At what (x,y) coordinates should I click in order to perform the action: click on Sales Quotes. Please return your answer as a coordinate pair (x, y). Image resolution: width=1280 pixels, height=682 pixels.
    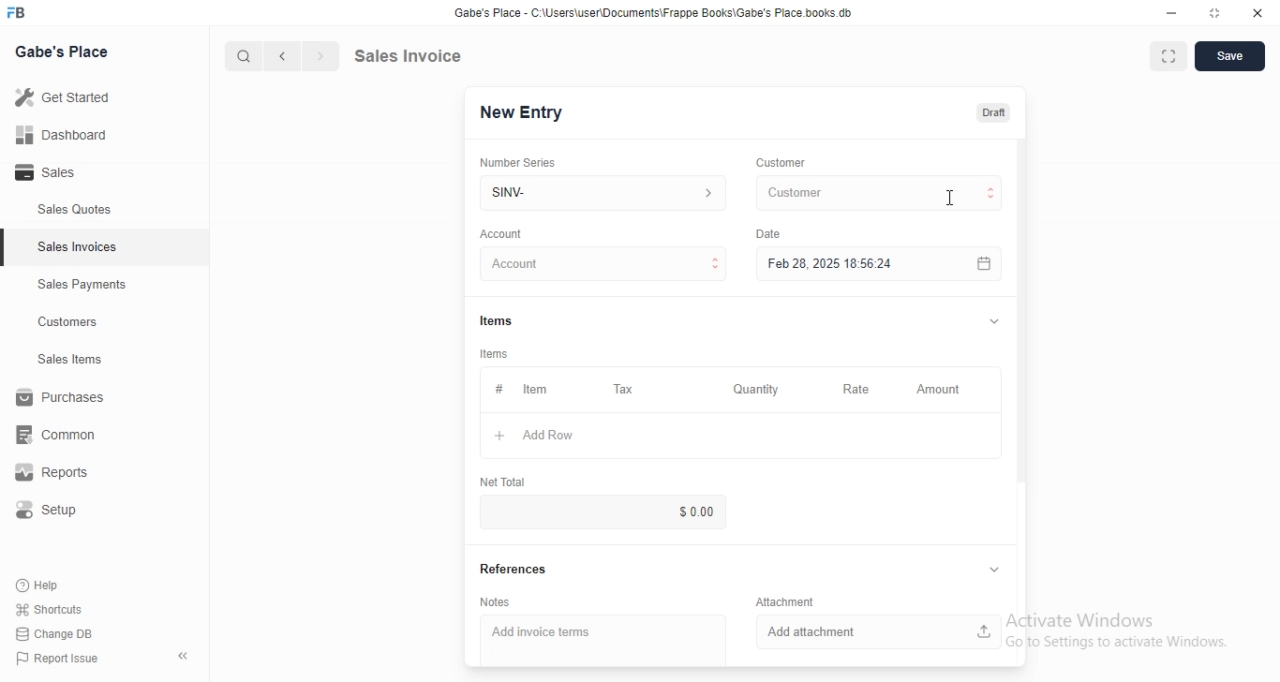
    Looking at the image, I should click on (64, 210).